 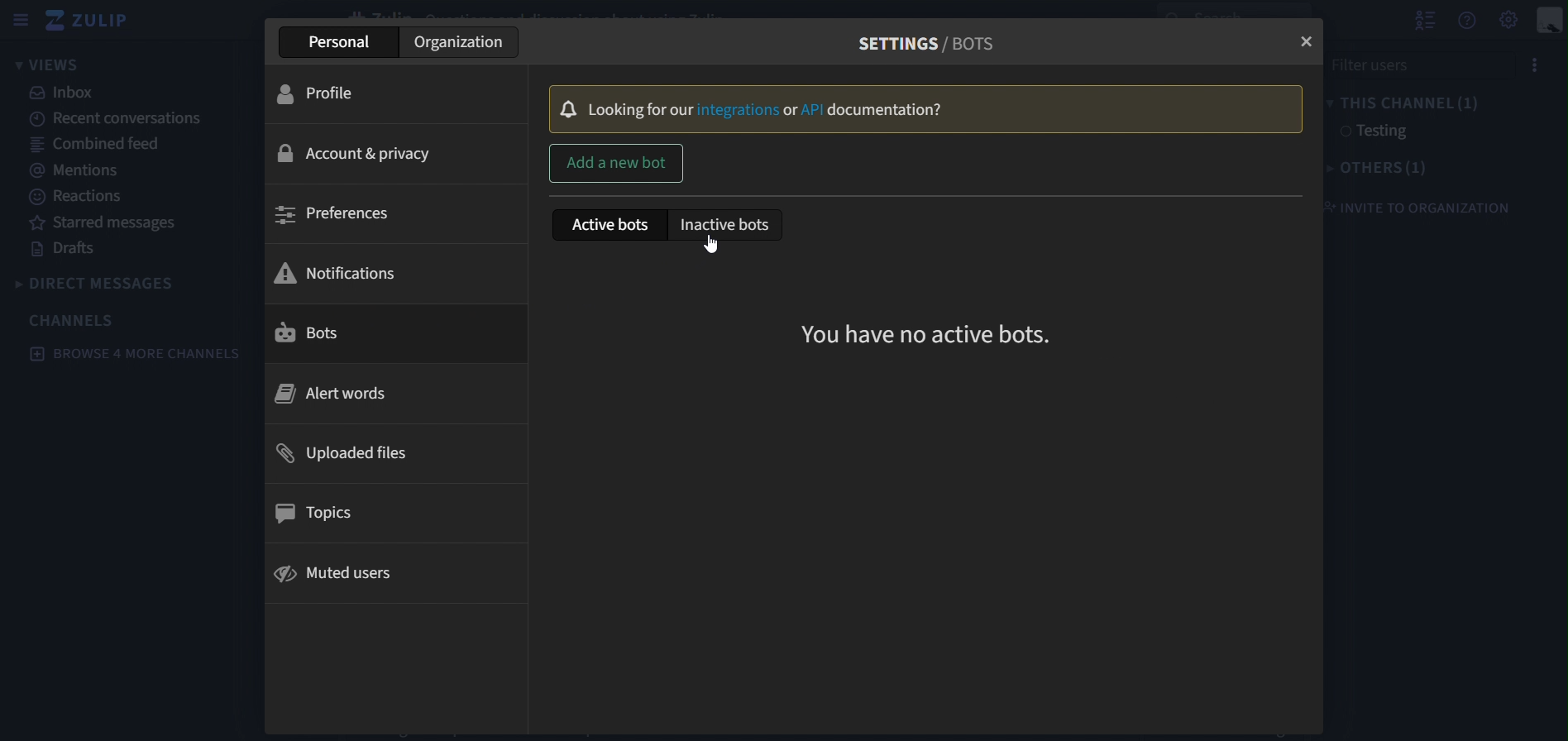 I want to click on hide sidebar, so click(x=17, y=22).